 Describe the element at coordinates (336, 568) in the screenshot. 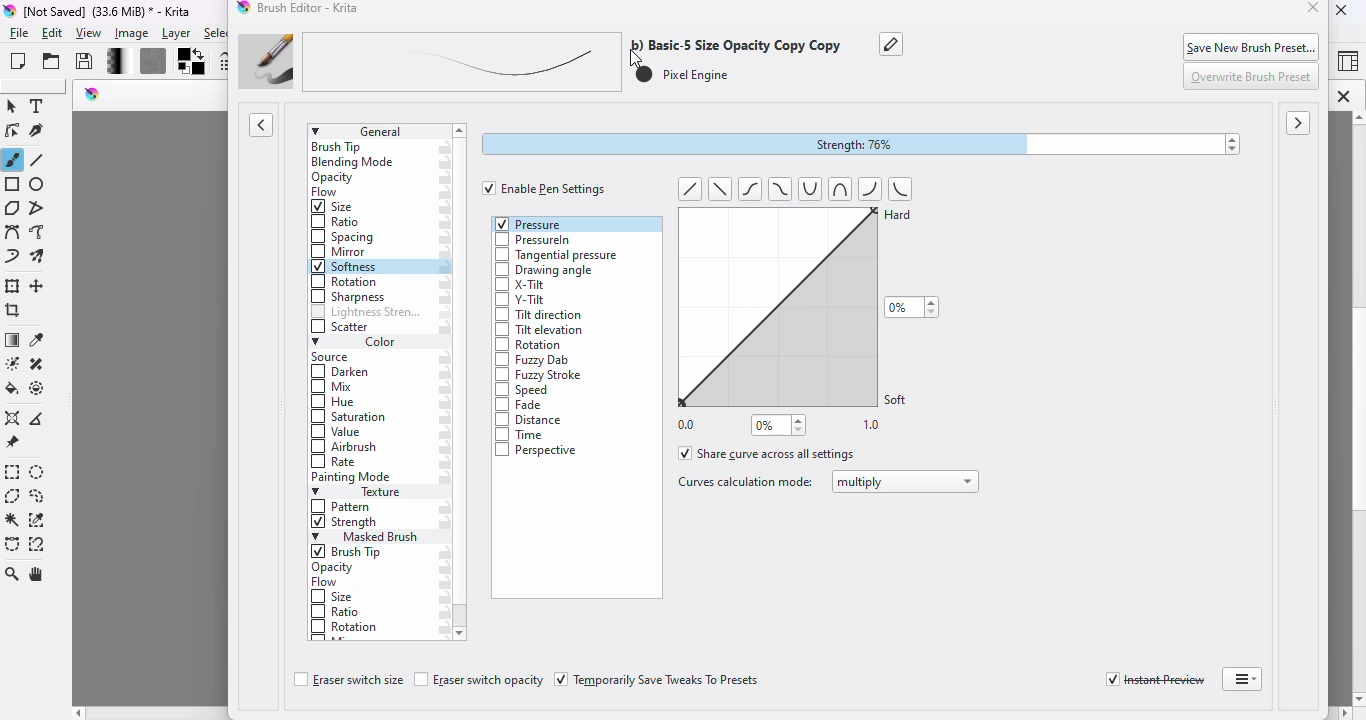

I see `opacity` at that location.